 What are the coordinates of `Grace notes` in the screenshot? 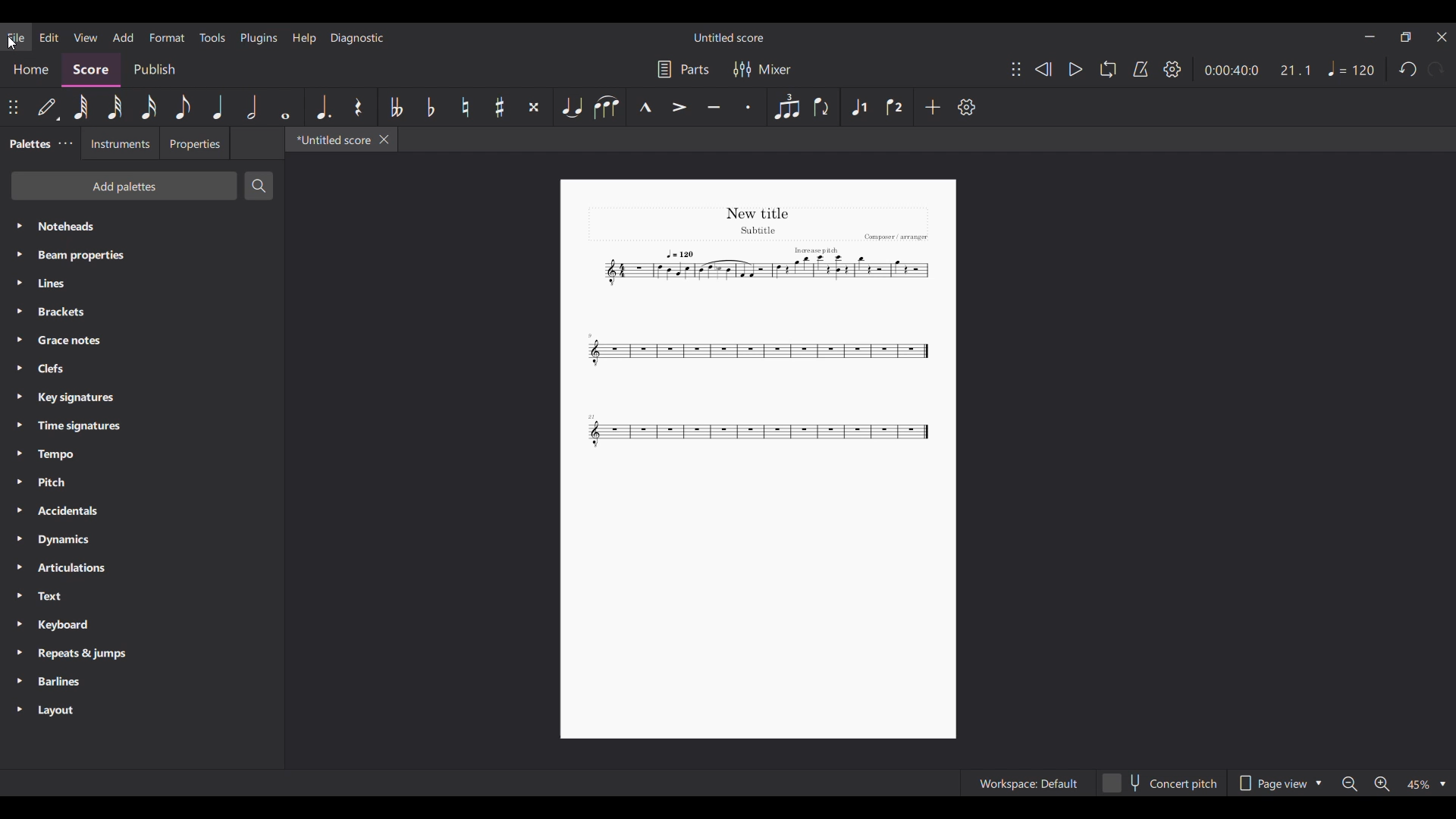 It's located at (143, 340).